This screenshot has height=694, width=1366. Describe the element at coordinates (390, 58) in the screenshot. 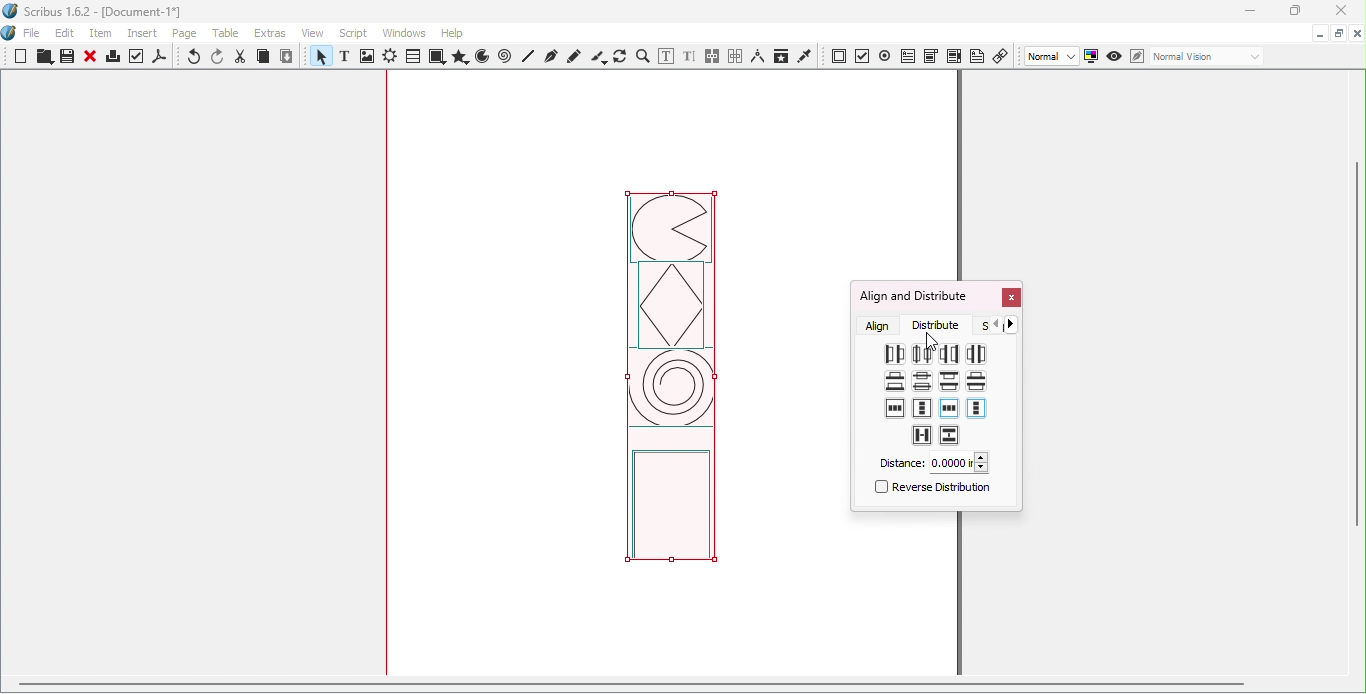

I see `Render frame` at that location.